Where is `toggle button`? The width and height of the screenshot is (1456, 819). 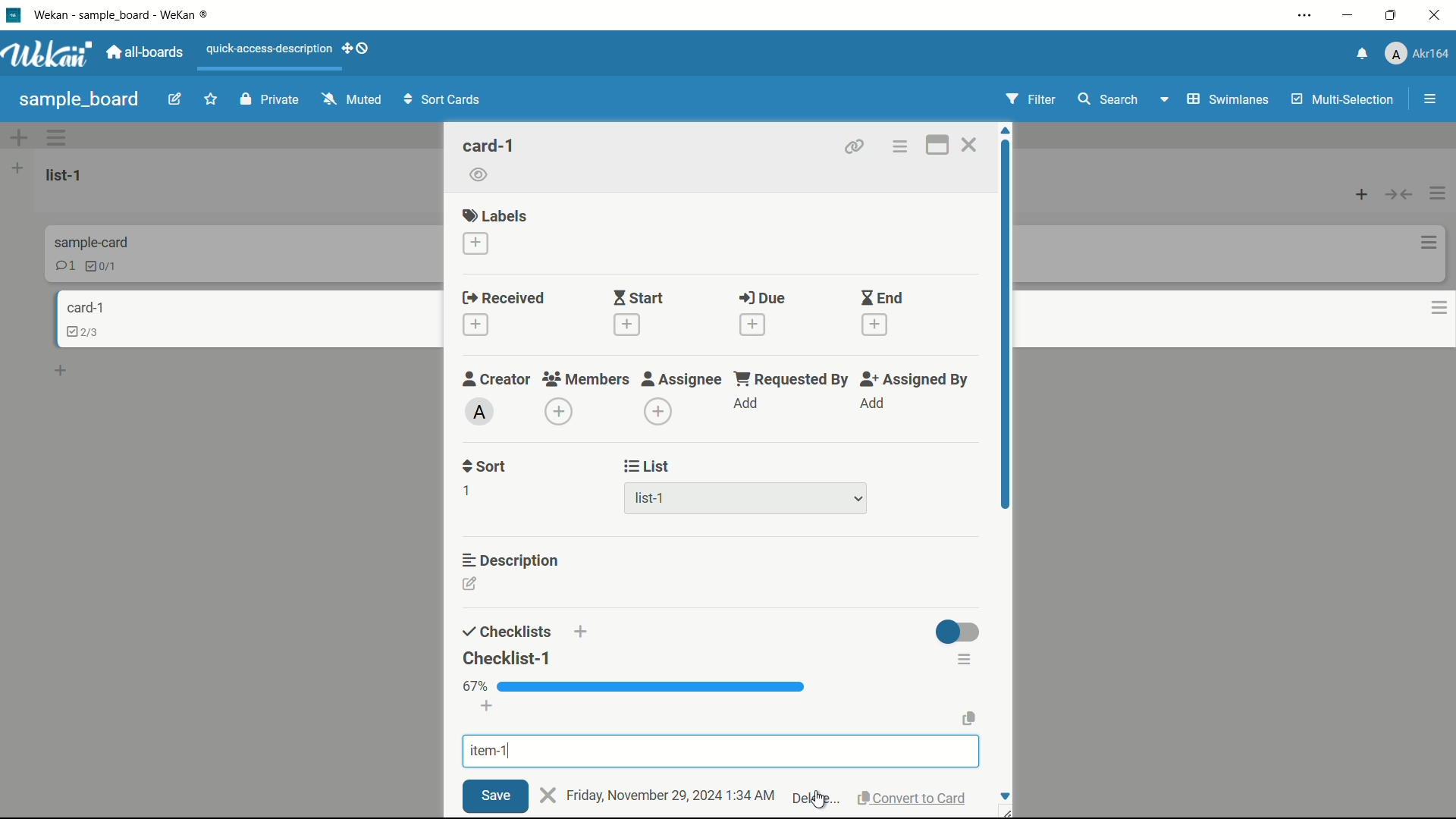
toggle button is located at coordinates (961, 632).